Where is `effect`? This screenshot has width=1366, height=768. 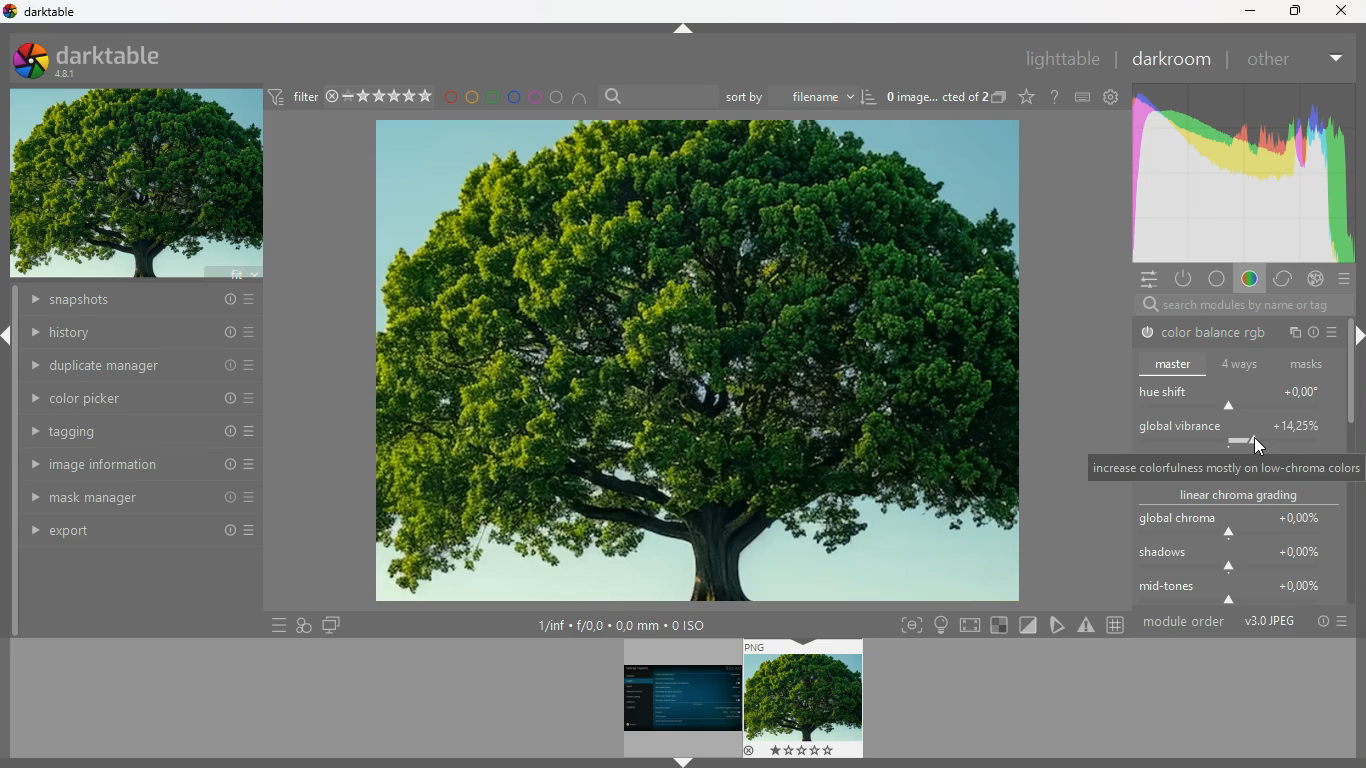
effect is located at coordinates (1315, 279).